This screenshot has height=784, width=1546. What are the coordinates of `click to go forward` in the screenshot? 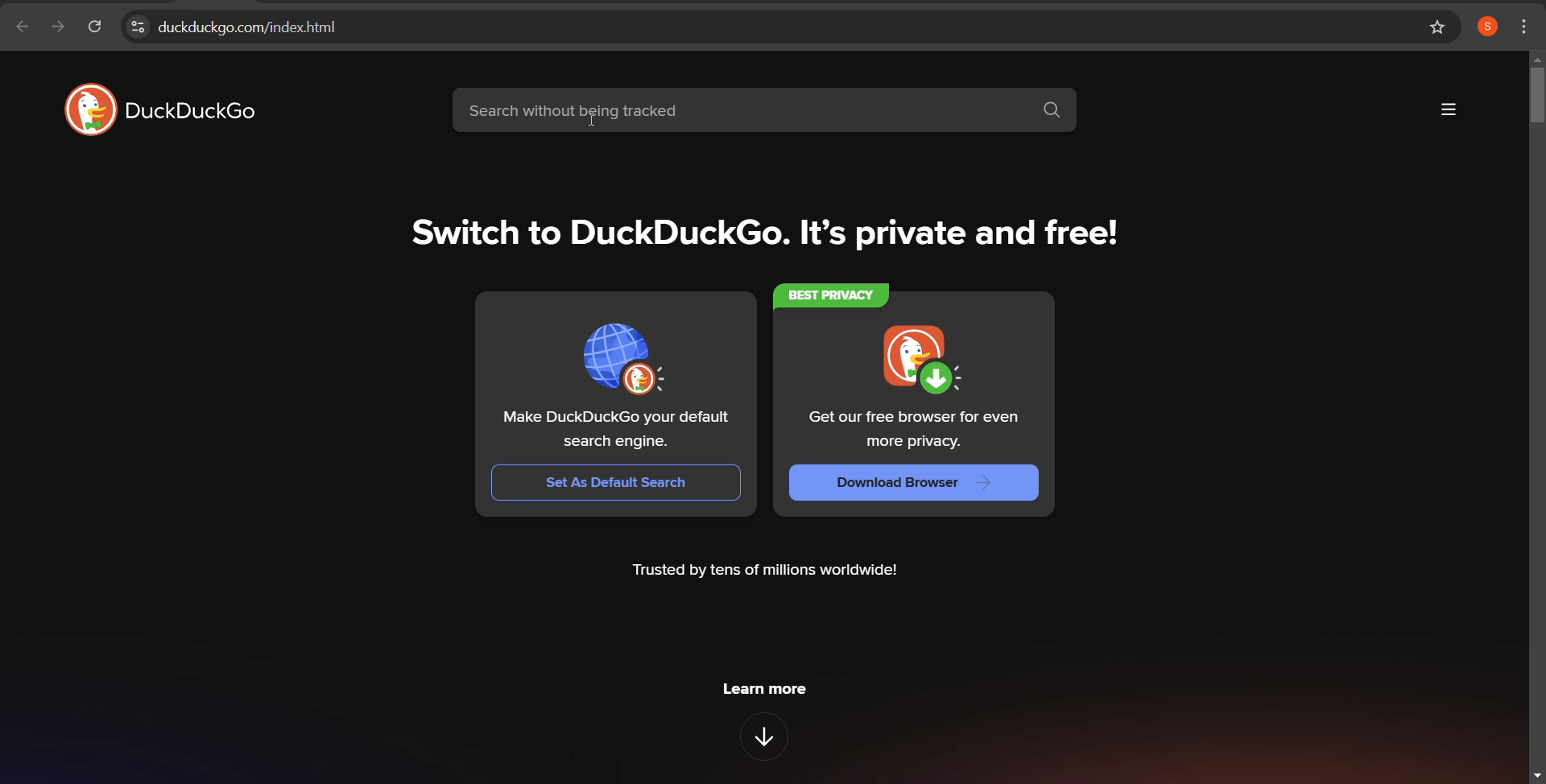 It's located at (57, 29).